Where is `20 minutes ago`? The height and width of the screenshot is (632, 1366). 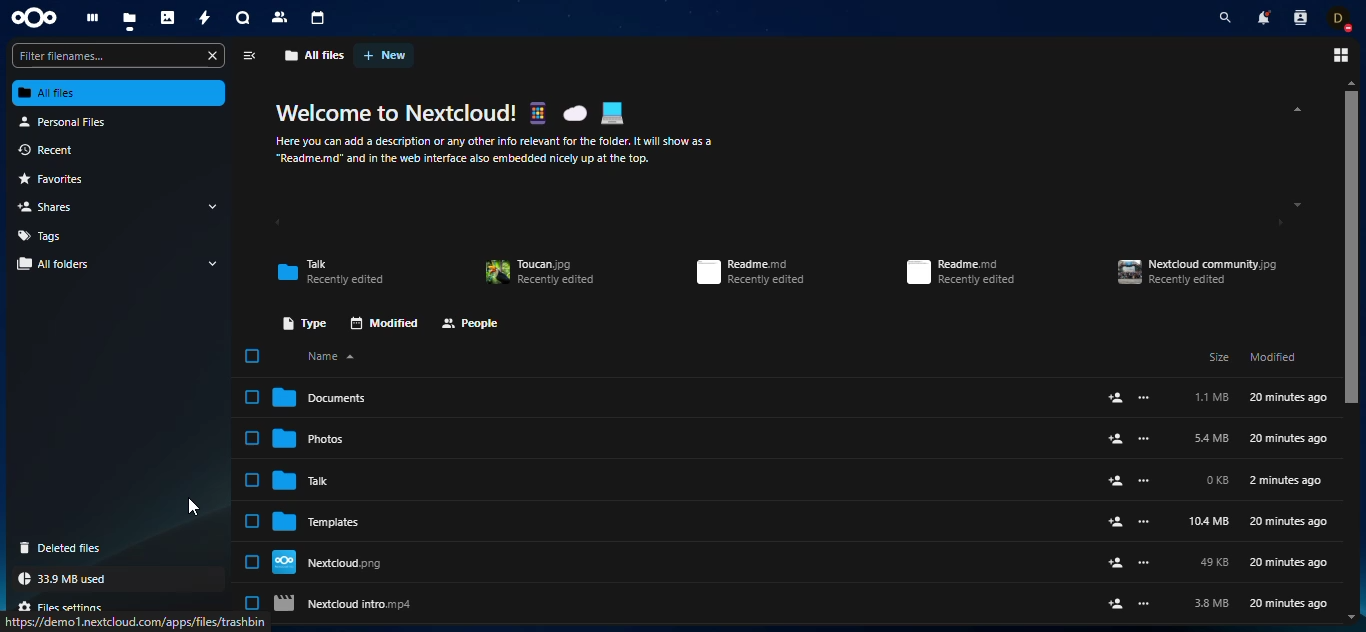
20 minutes ago is located at coordinates (1290, 603).